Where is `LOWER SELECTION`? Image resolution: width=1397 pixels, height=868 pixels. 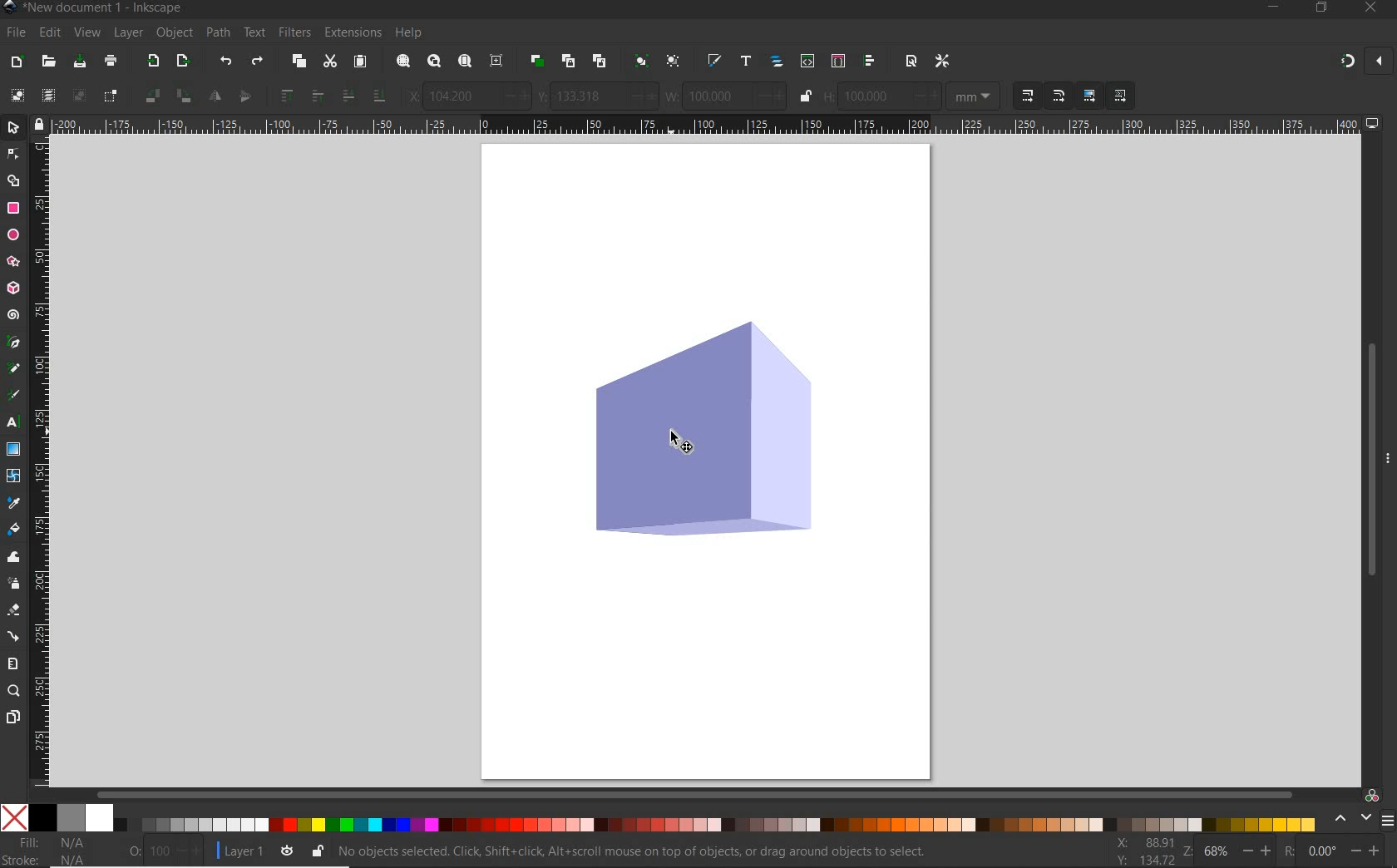 LOWER SELECTION is located at coordinates (346, 96).